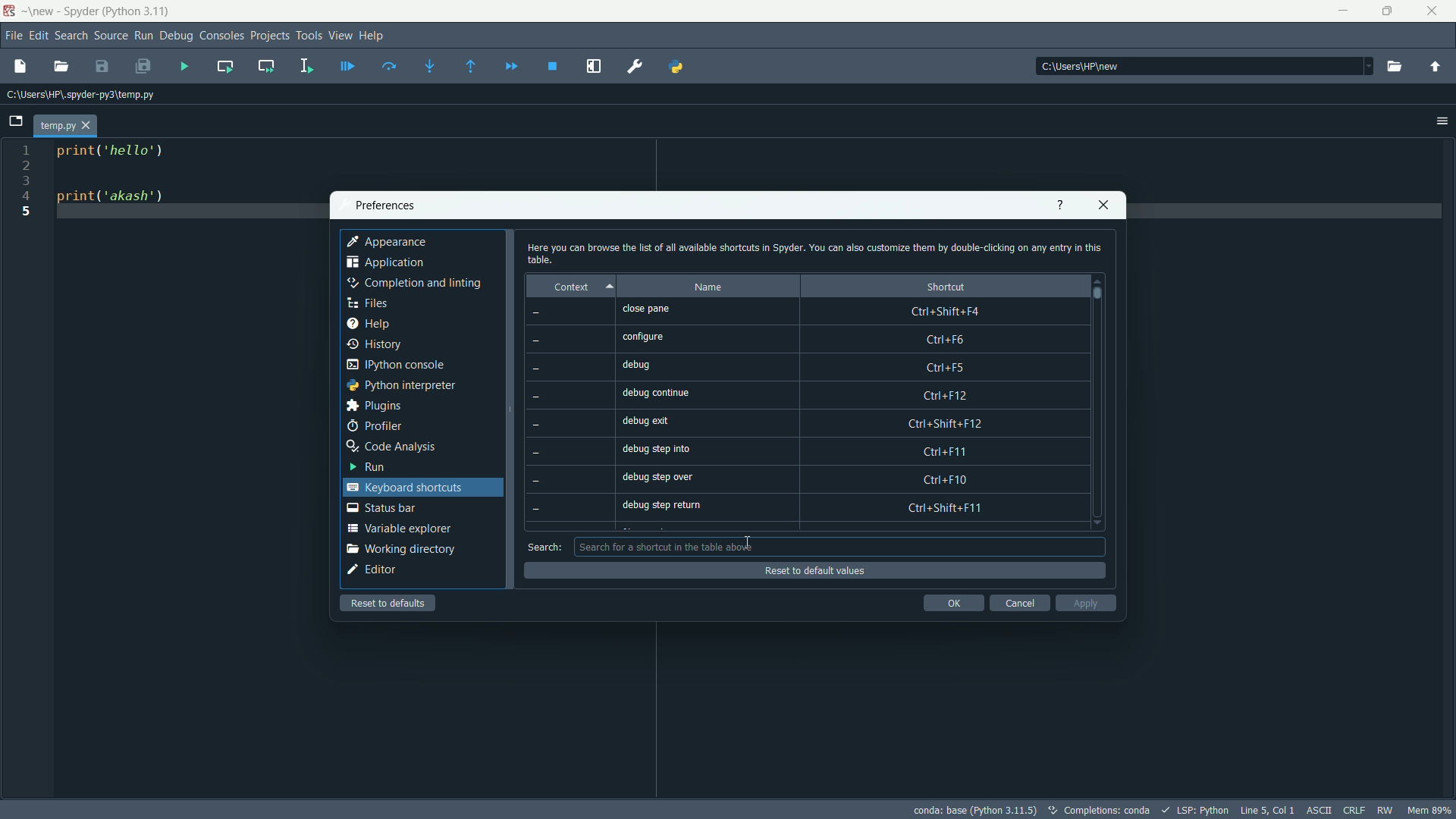  I want to click on -, debug ext, ctrl+shift+f12, so click(803, 425).